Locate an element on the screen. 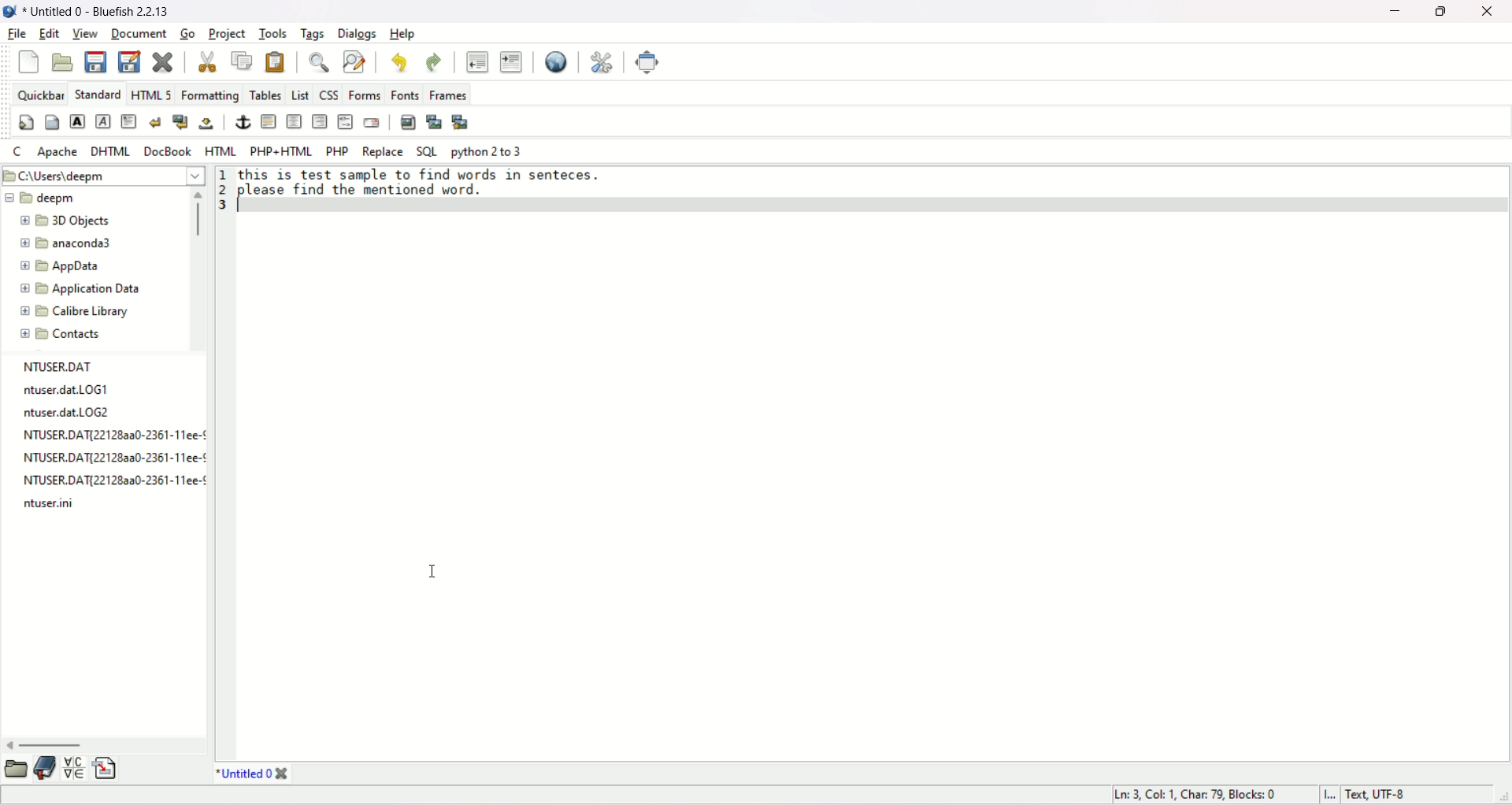  tools is located at coordinates (272, 34).